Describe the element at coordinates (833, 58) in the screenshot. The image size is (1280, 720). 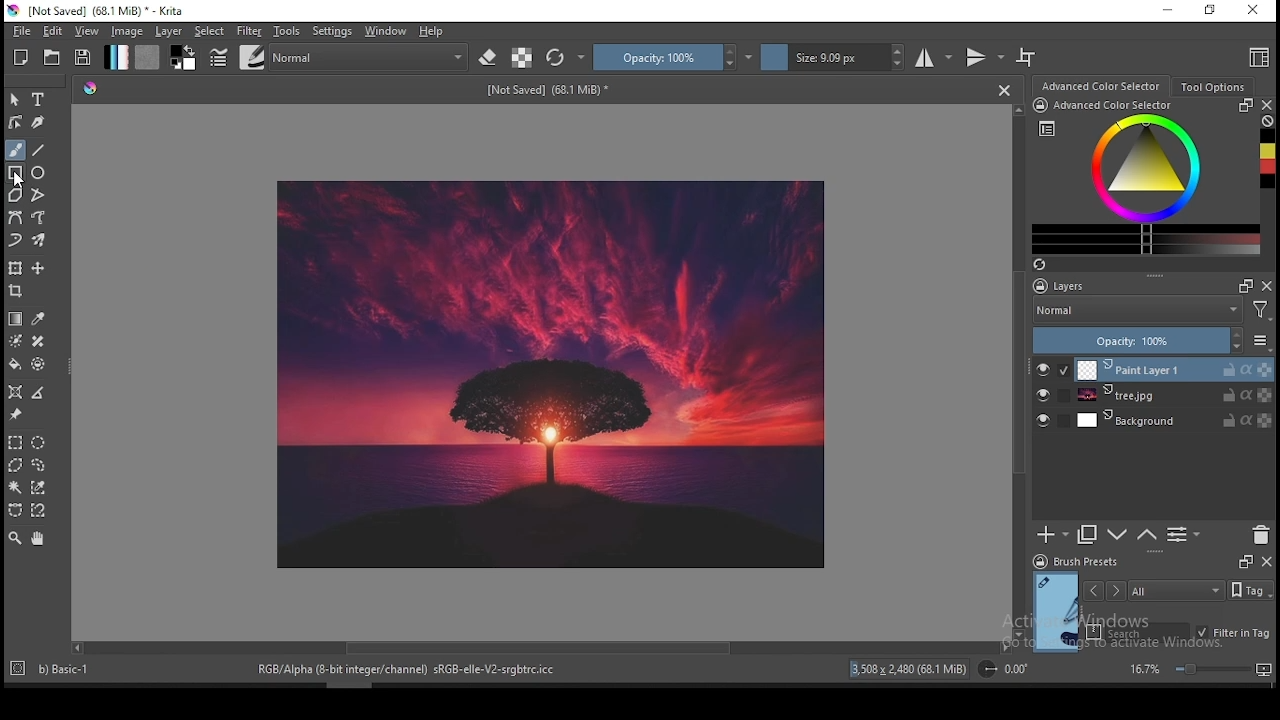
I see `size` at that location.